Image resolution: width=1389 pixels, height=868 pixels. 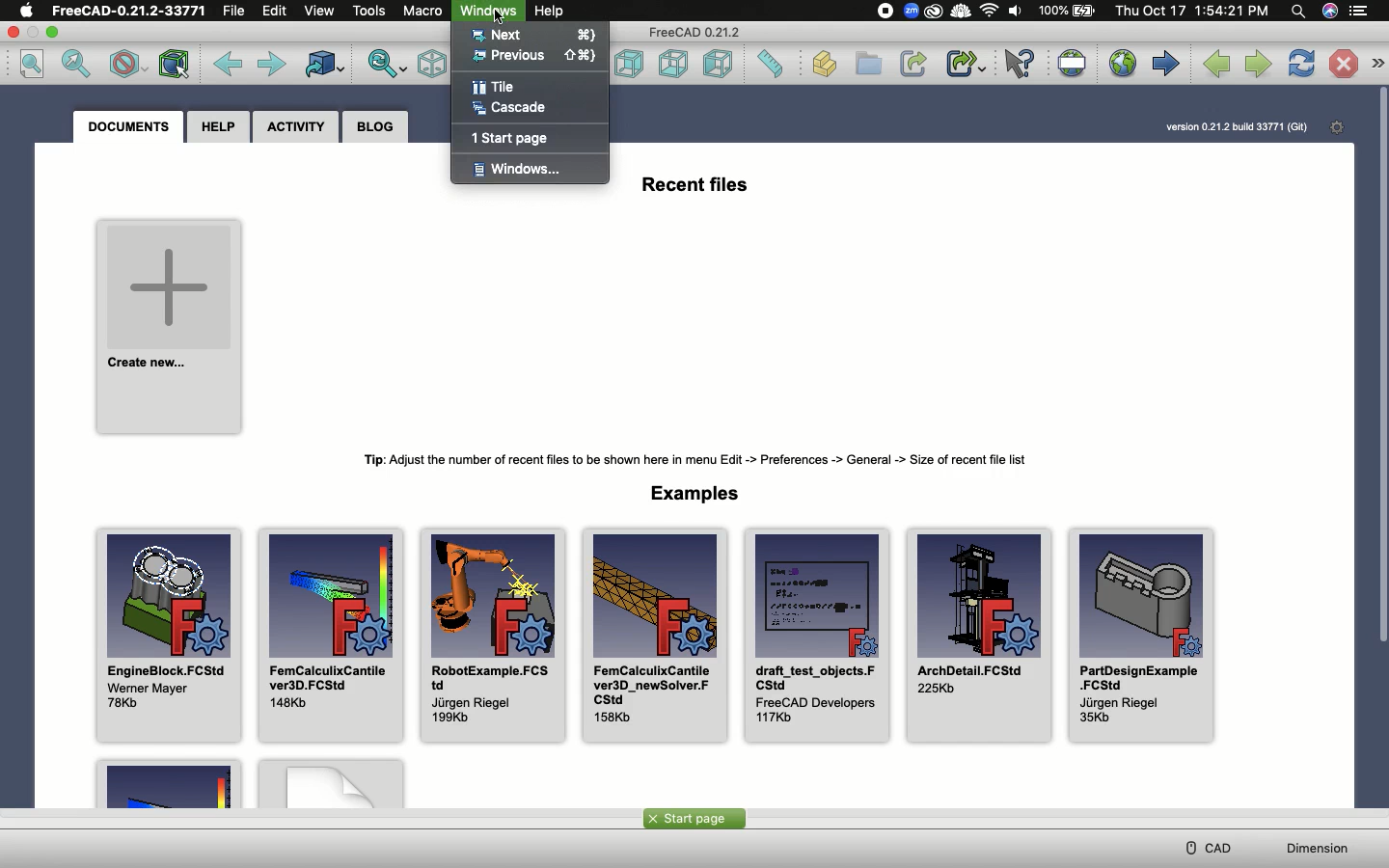 What do you see at coordinates (696, 34) in the screenshot?
I see `FreeCAD` at bounding box center [696, 34].